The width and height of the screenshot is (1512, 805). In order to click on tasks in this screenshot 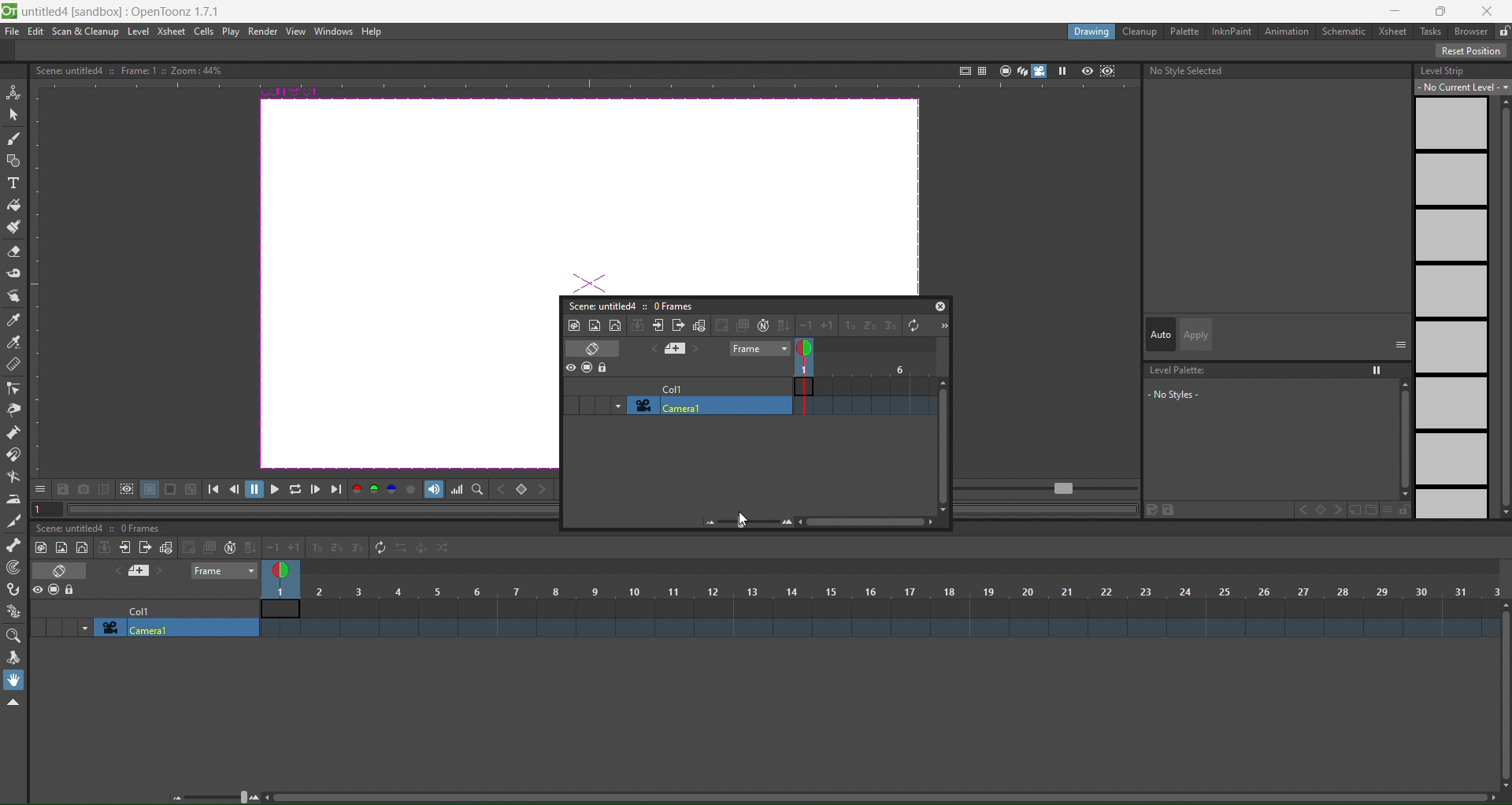, I will do `click(1433, 31)`.